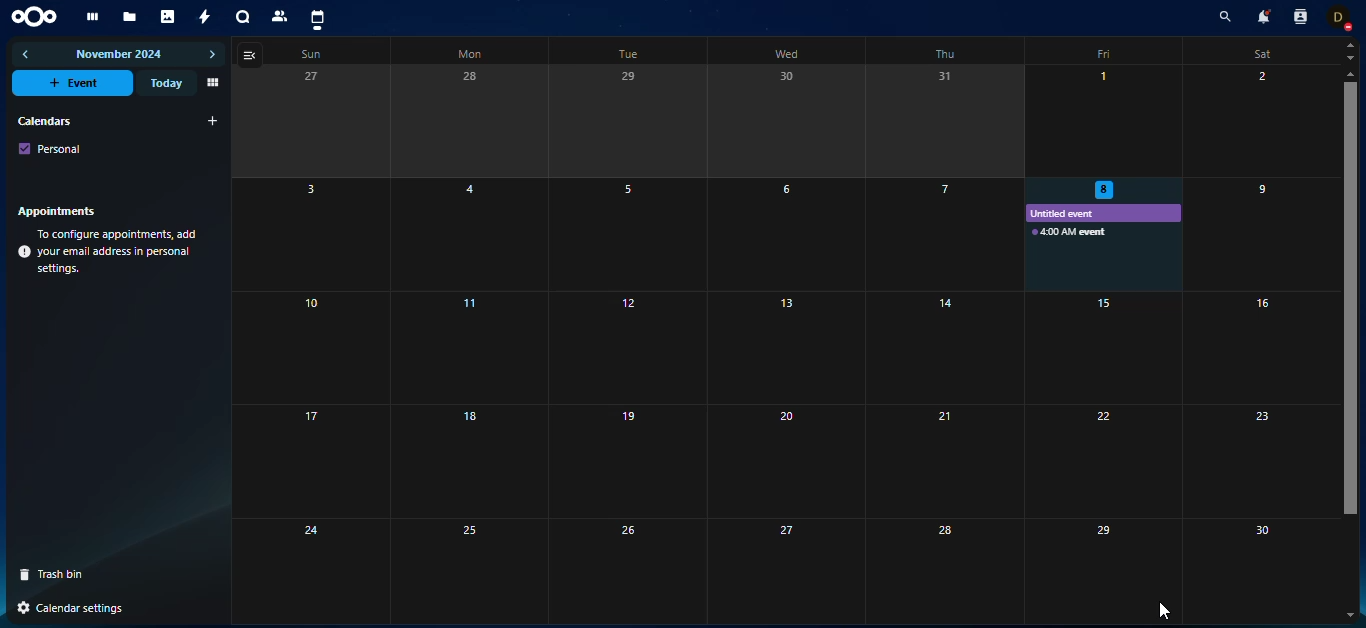 The height and width of the screenshot is (628, 1366). I want to click on today, so click(164, 83).